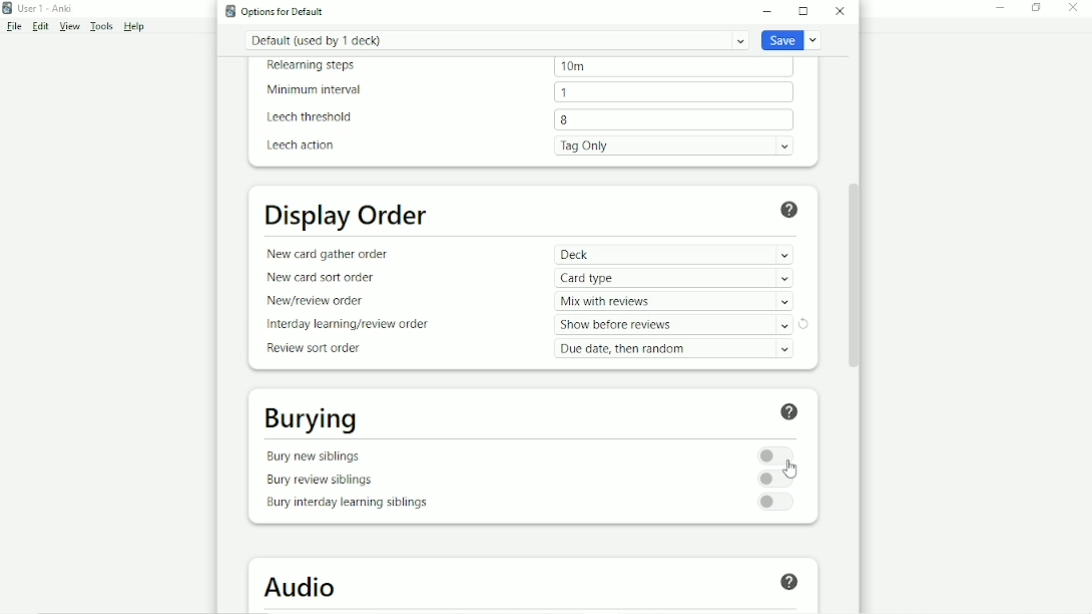  Describe the element at coordinates (323, 302) in the screenshot. I see `New/review order` at that location.